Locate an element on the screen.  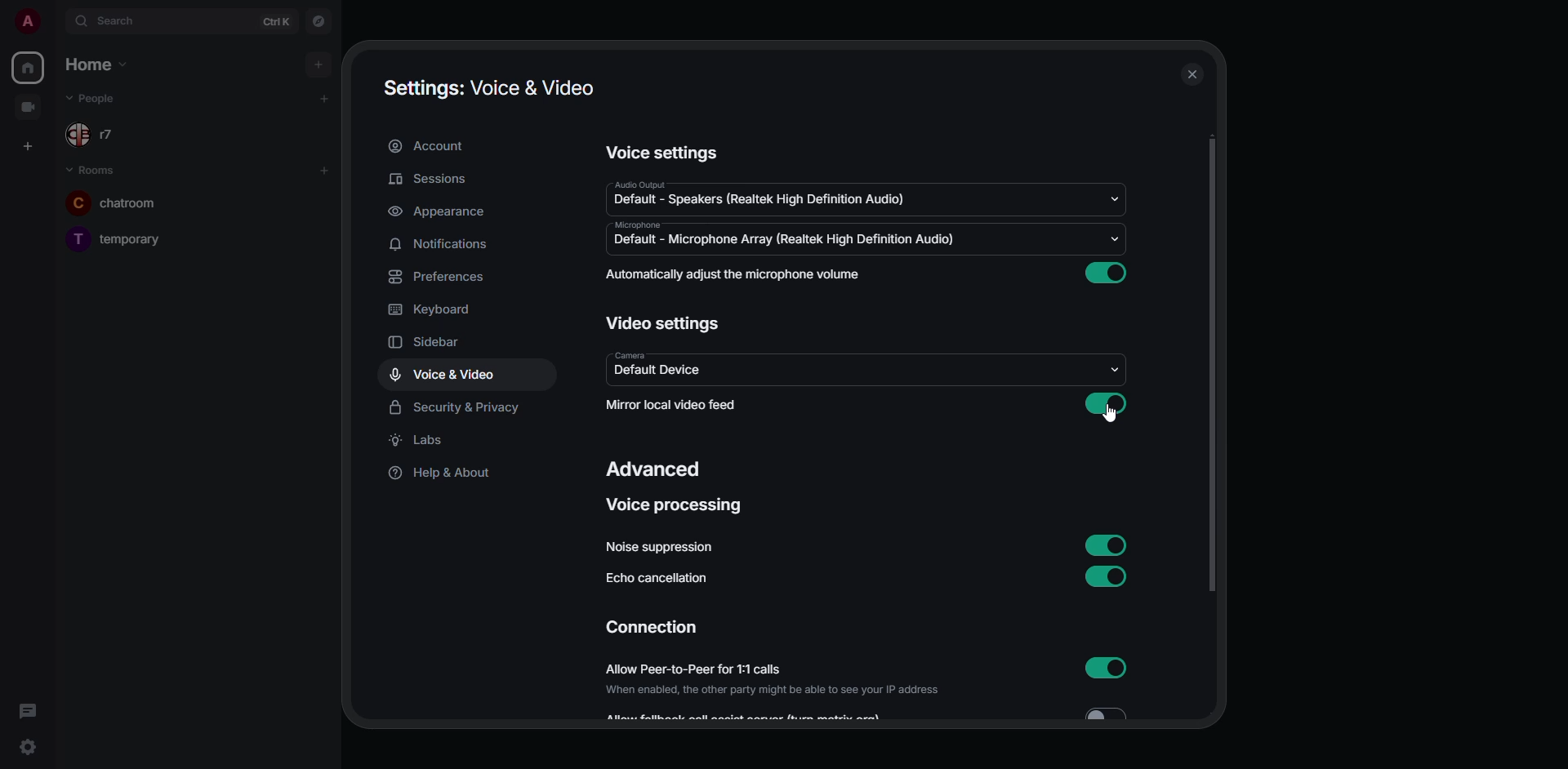
drop down is located at coordinates (1113, 239).